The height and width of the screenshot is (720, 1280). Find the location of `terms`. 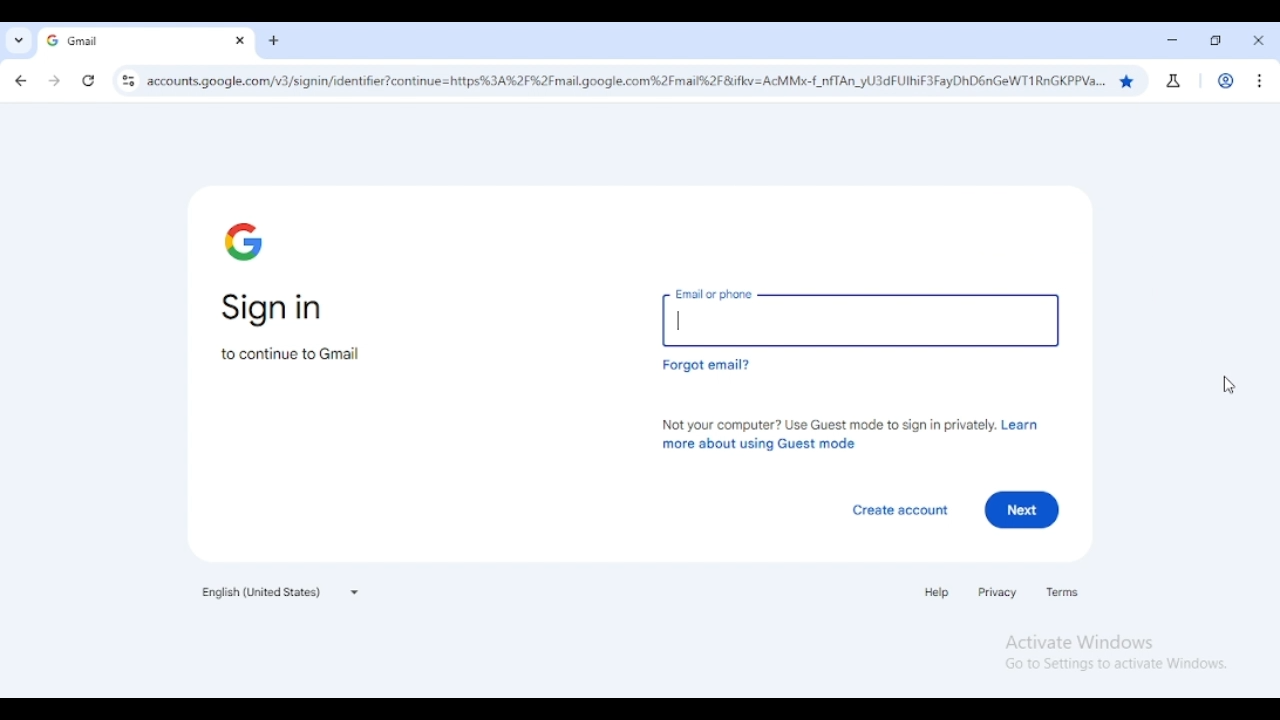

terms is located at coordinates (1062, 592).